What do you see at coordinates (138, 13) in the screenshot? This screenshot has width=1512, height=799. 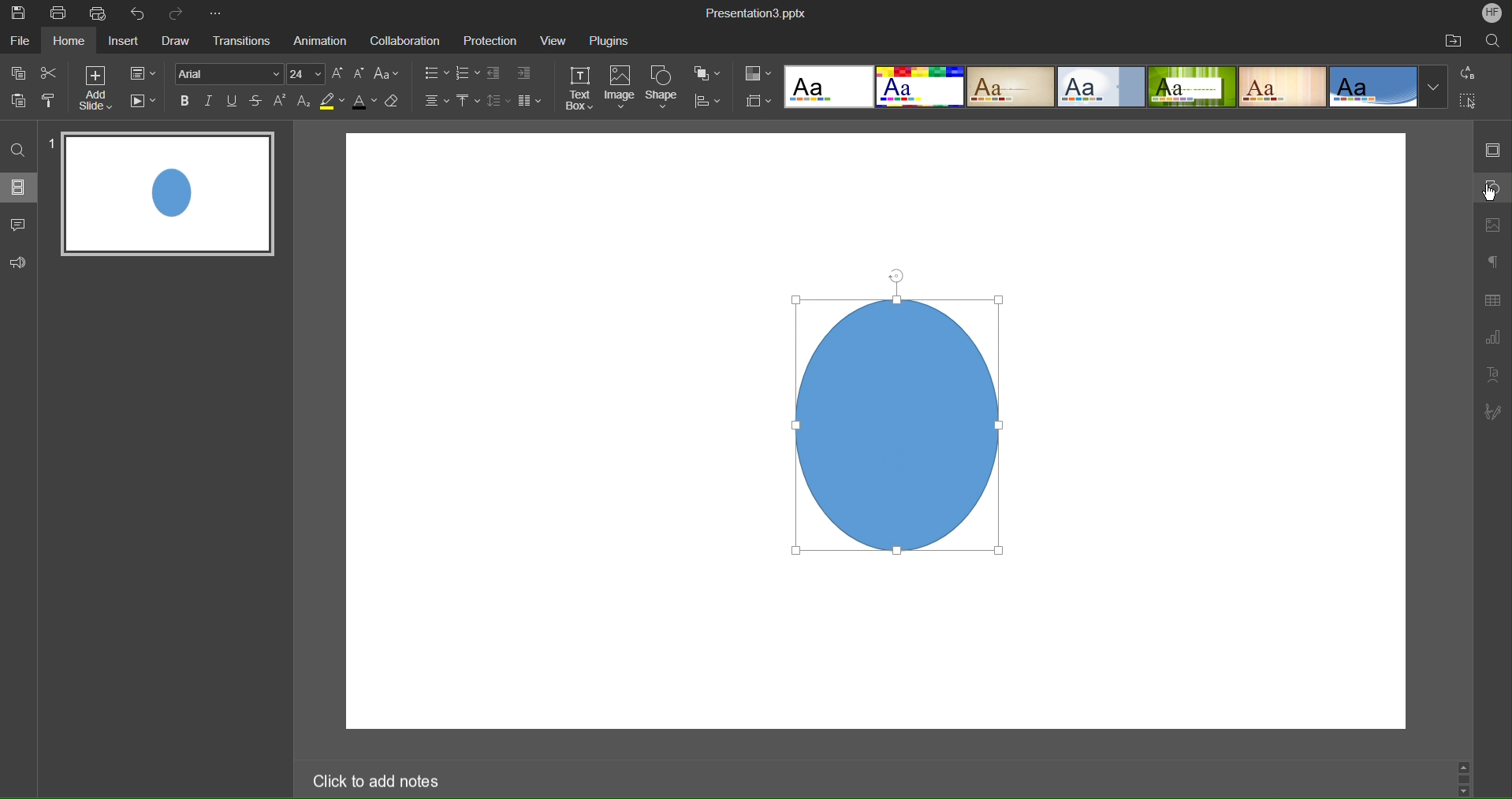 I see `Undo` at bounding box center [138, 13].